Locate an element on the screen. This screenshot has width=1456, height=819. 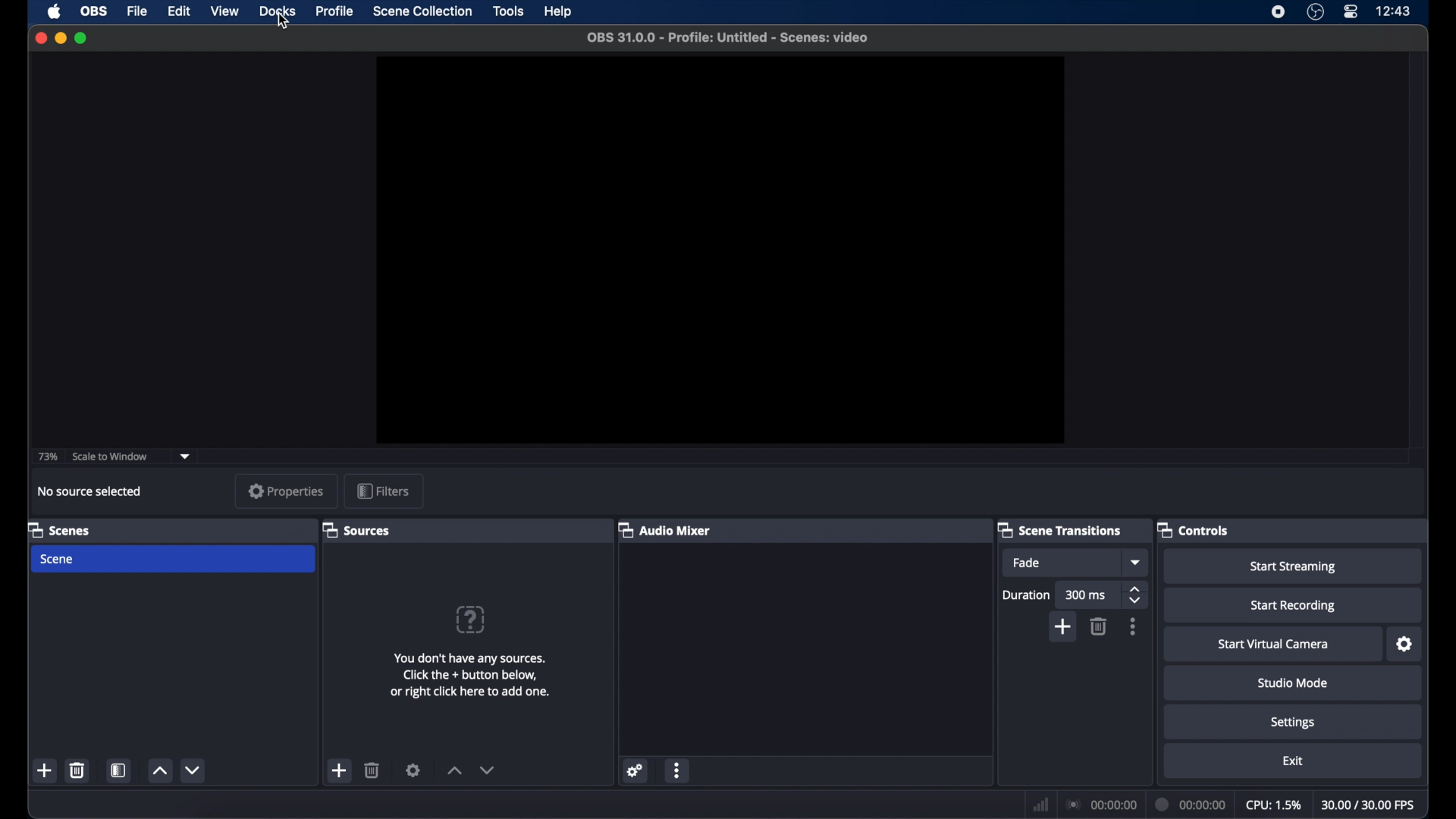
info is located at coordinates (470, 675).